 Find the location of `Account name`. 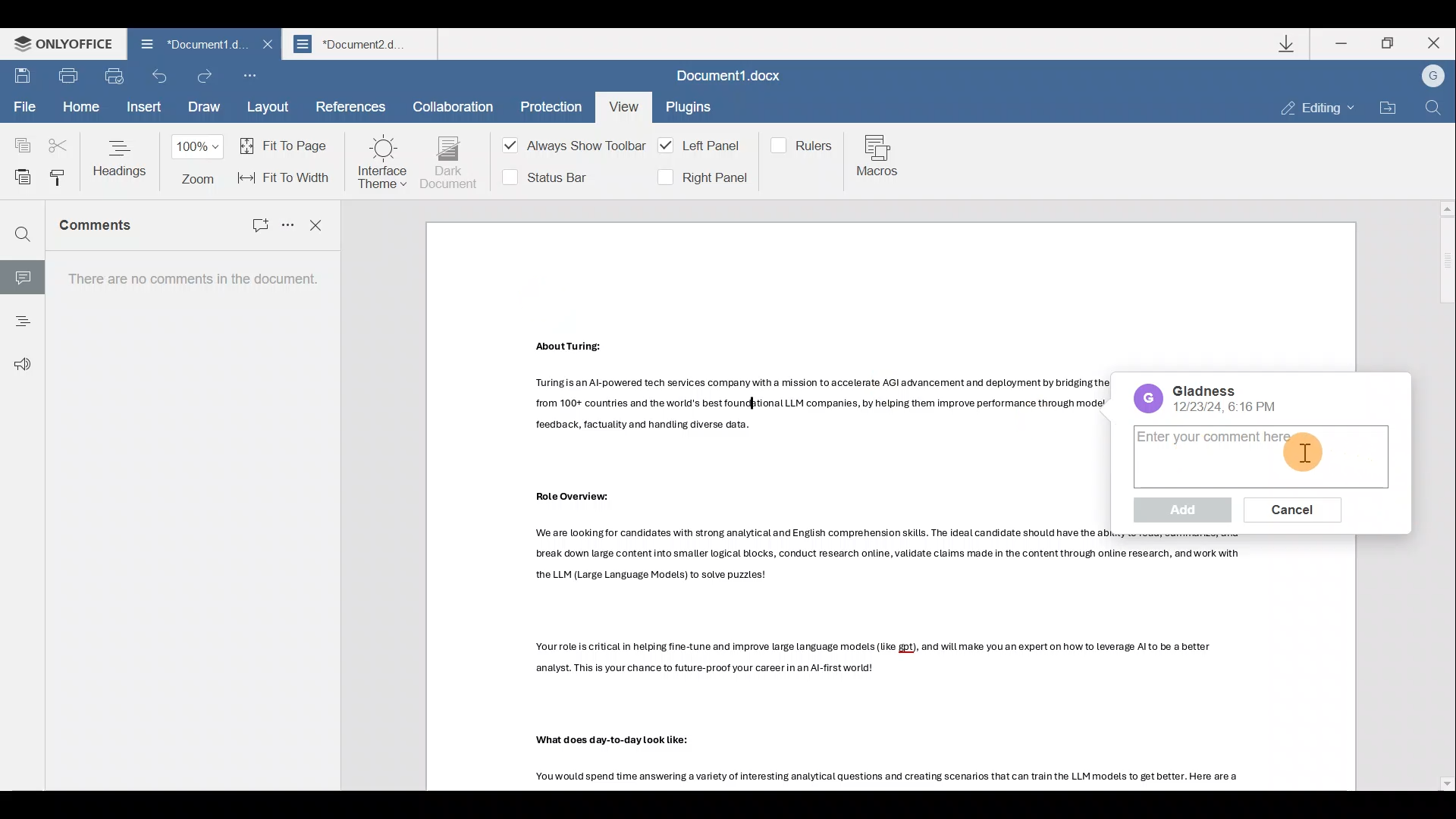

Account name is located at coordinates (1432, 77).